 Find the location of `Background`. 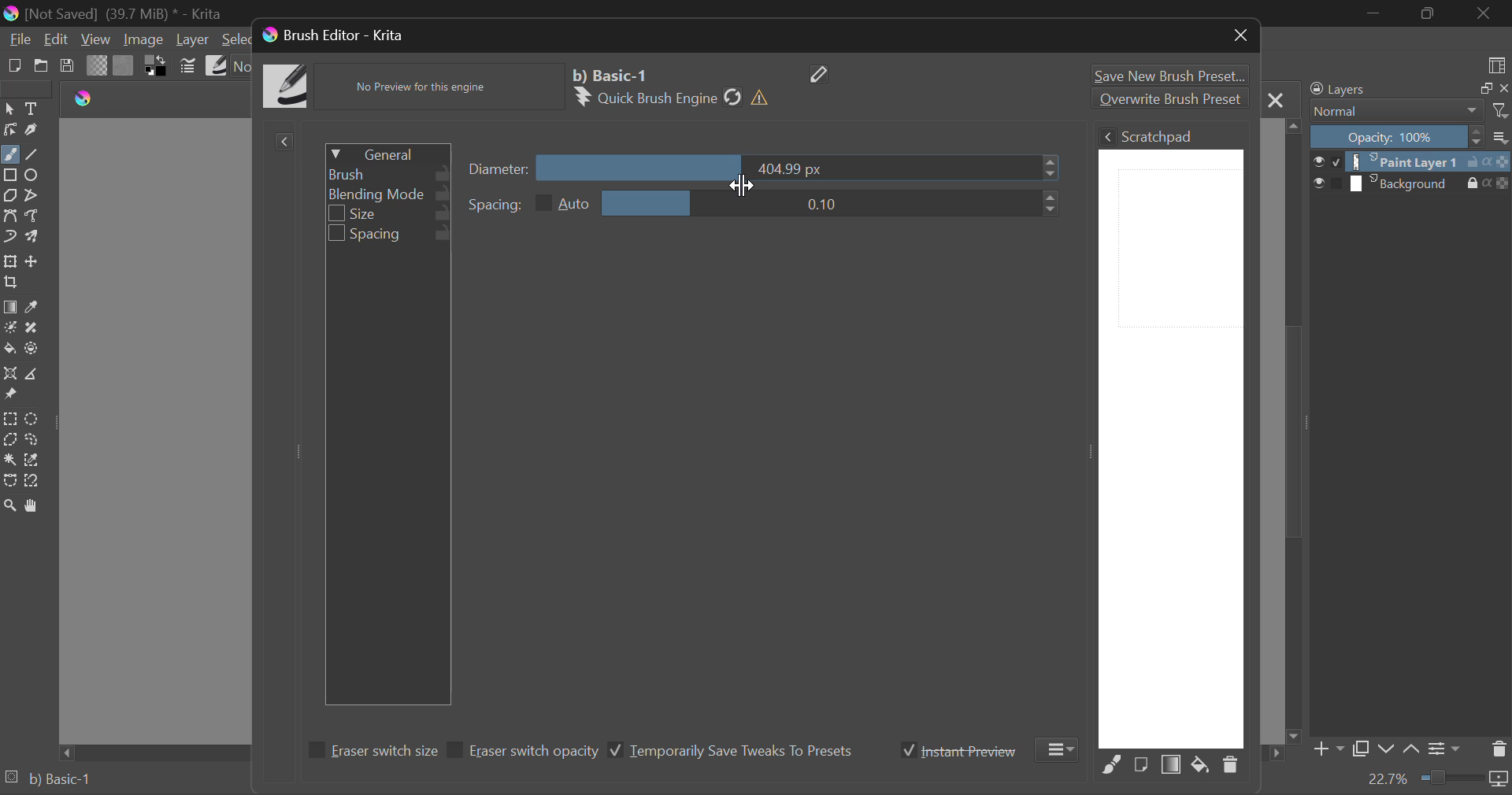

Background is located at coordinates (1411, 183).